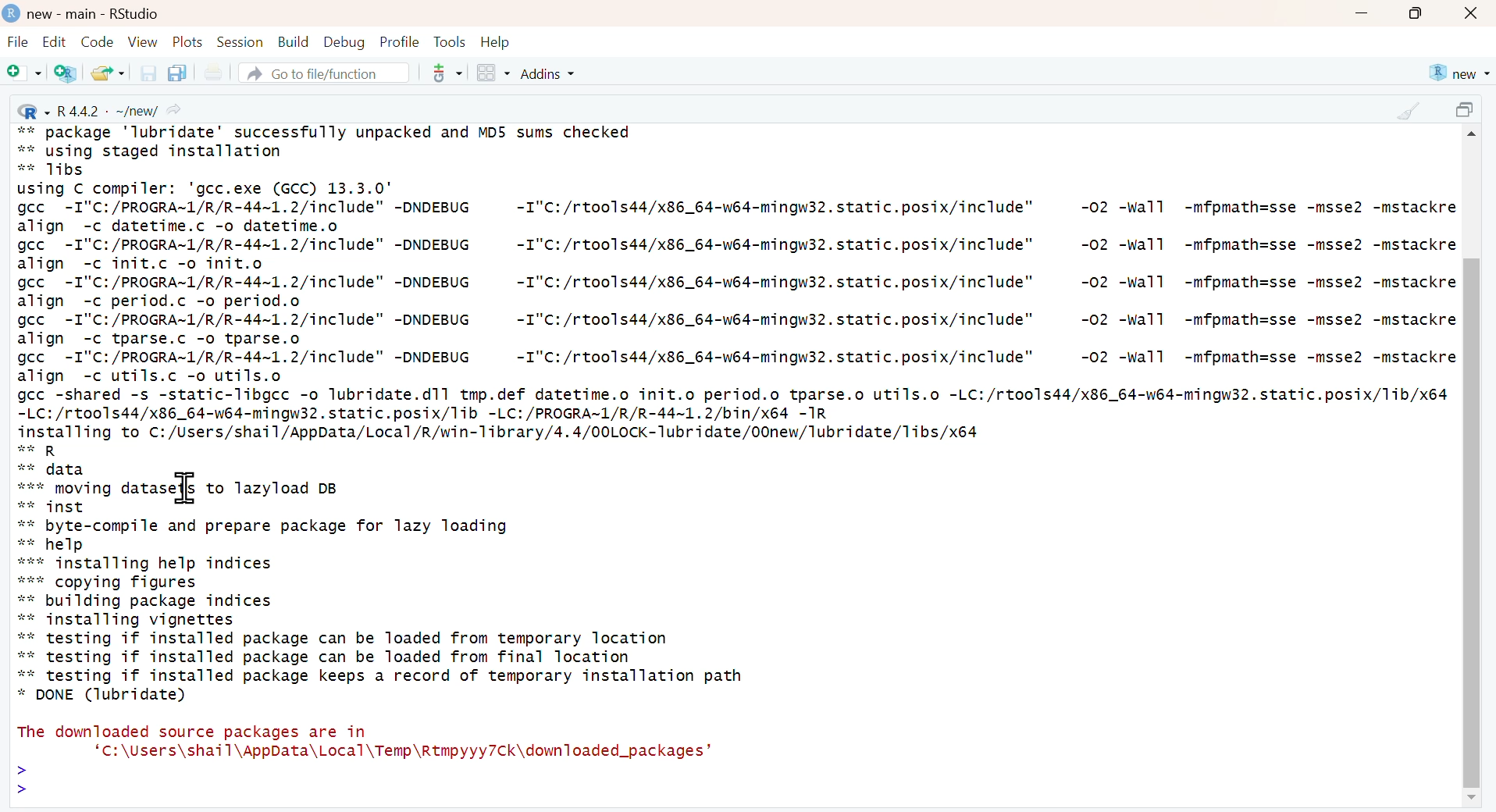  I want to click on File, so click(18, 44).